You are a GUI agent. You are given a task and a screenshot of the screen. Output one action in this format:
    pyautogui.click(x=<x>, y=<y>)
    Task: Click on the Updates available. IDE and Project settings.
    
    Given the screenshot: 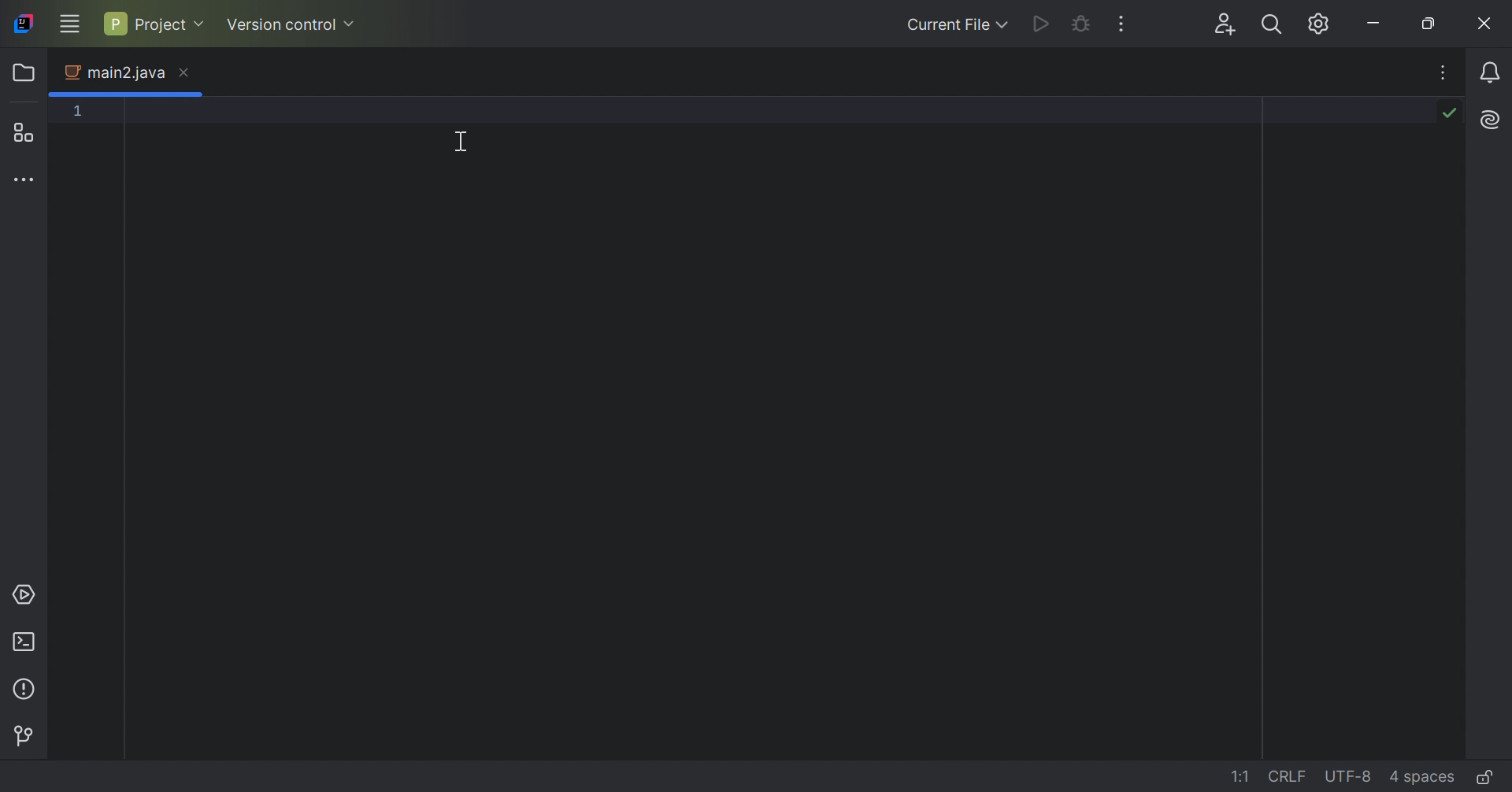 What is the action you would take?
    pyautogui.click(x=1318, y=24)
    